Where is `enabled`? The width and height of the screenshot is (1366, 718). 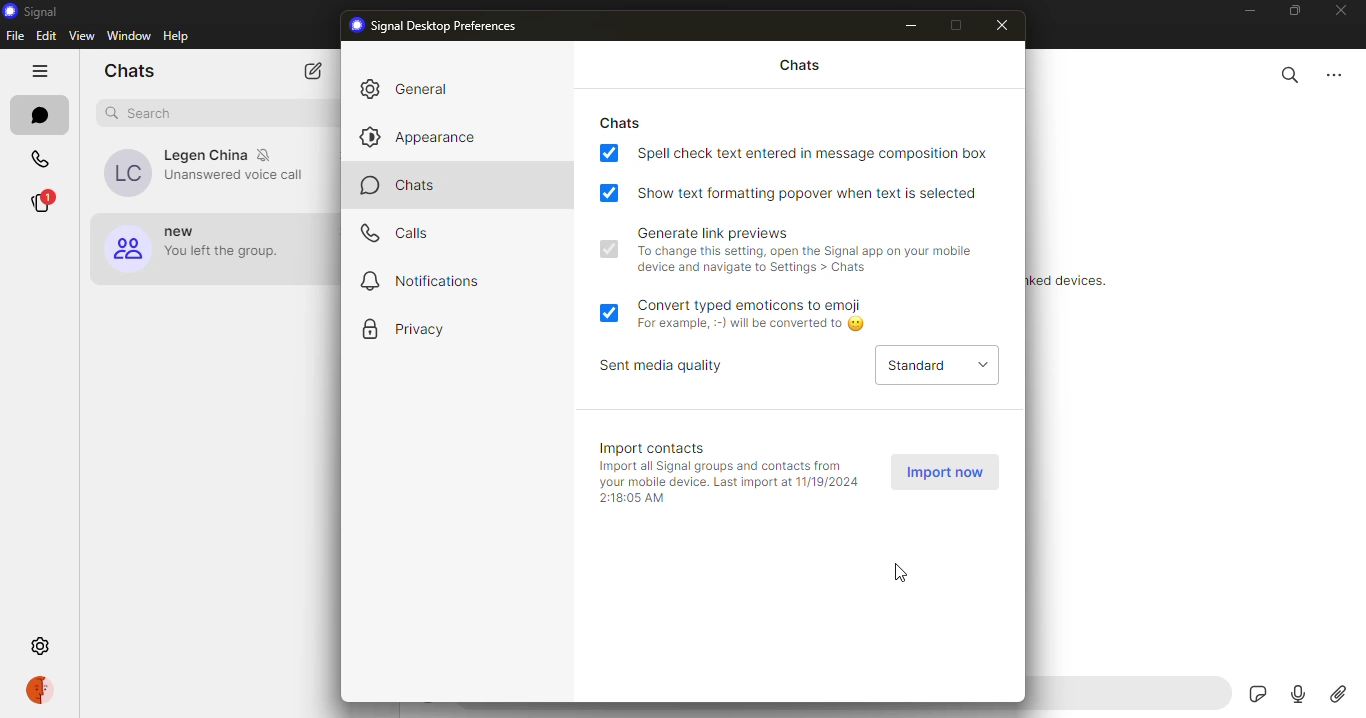
enabled is located at coordinates (609, 250).